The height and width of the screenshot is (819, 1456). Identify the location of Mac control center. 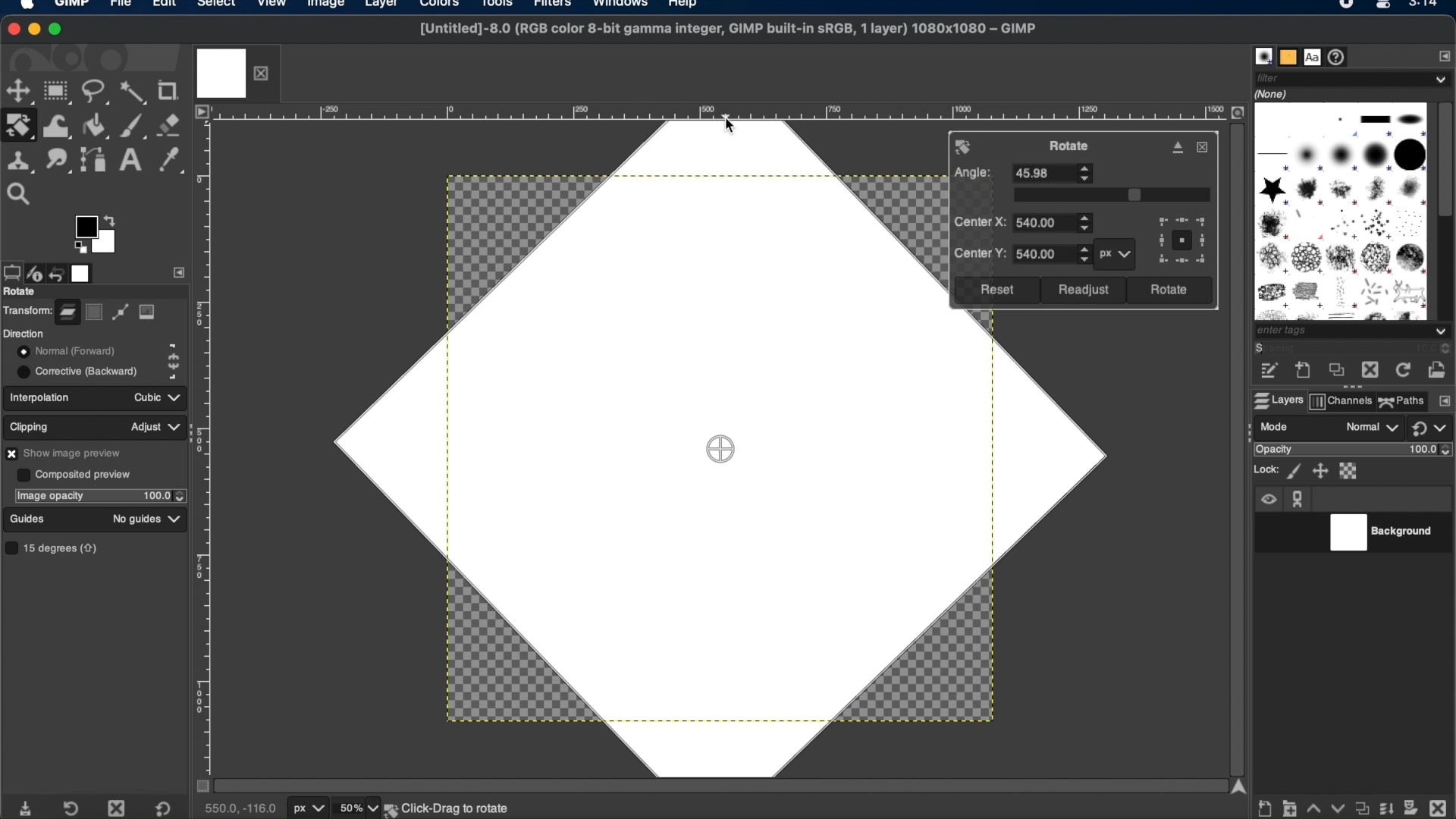
(1380, 7).